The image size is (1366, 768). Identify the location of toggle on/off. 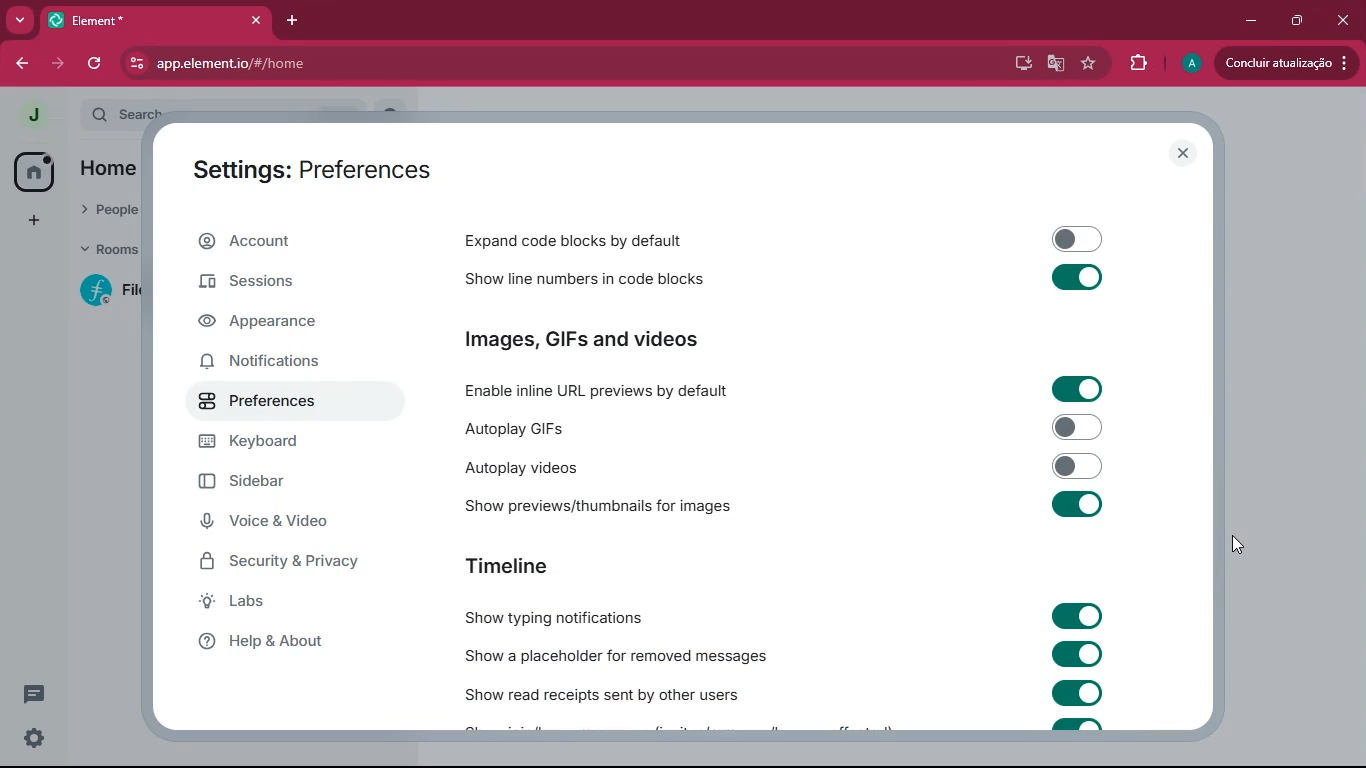
(1079, 239).